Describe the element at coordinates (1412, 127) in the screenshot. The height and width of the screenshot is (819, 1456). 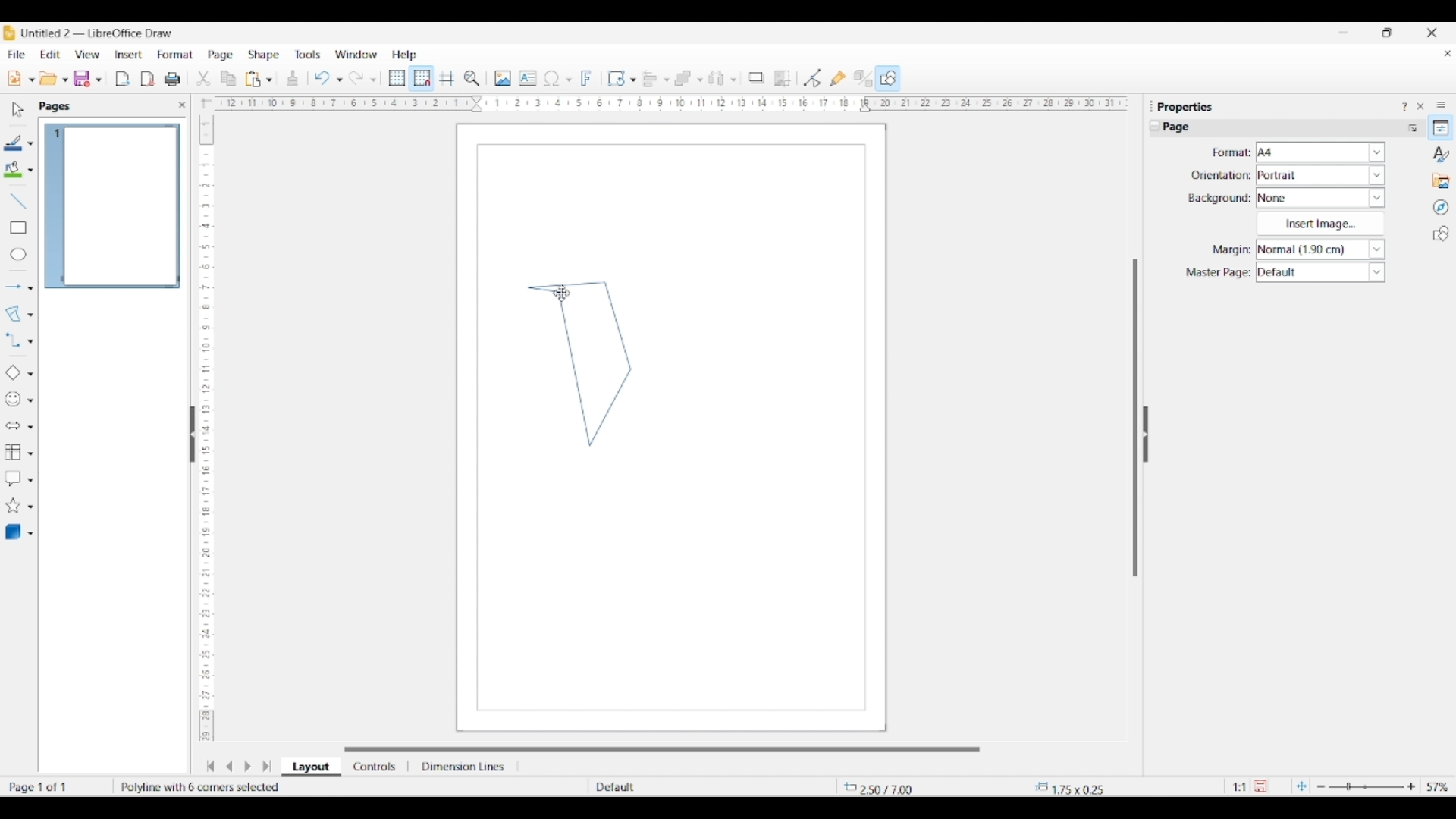
I see `More options` at that location.